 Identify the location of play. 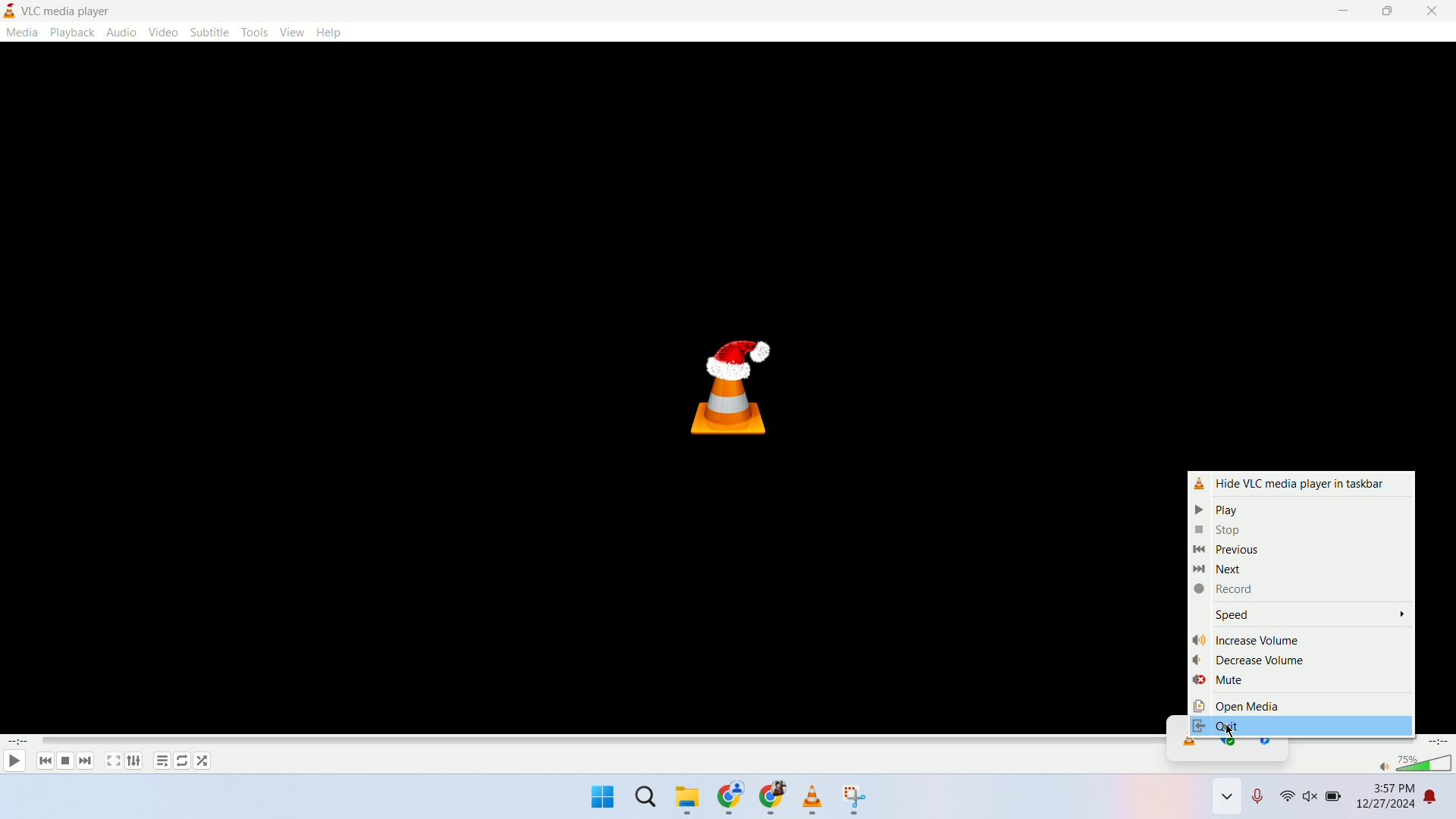
(1294, 508).